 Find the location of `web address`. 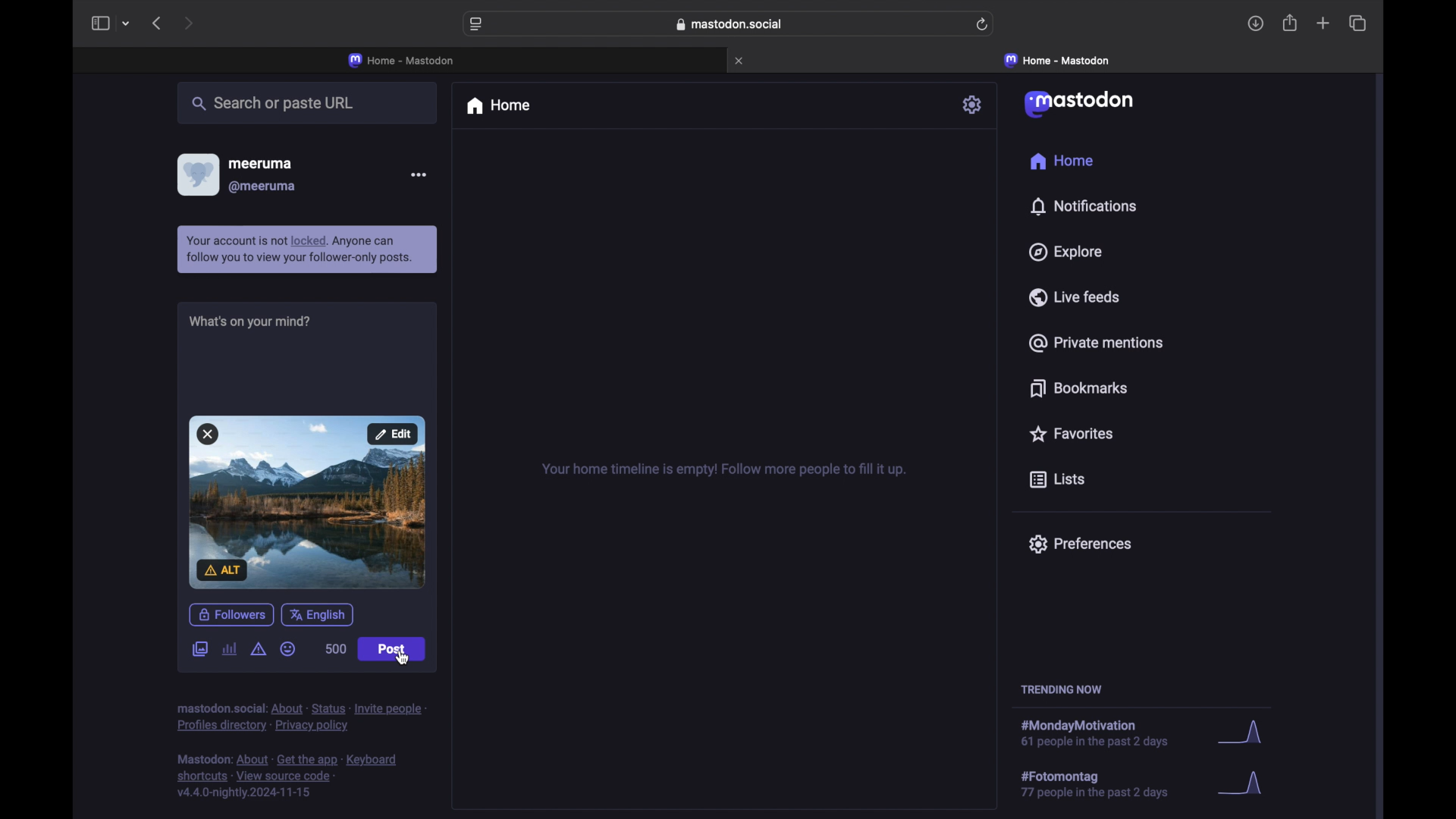

web address is located at coordinates (730, 24).